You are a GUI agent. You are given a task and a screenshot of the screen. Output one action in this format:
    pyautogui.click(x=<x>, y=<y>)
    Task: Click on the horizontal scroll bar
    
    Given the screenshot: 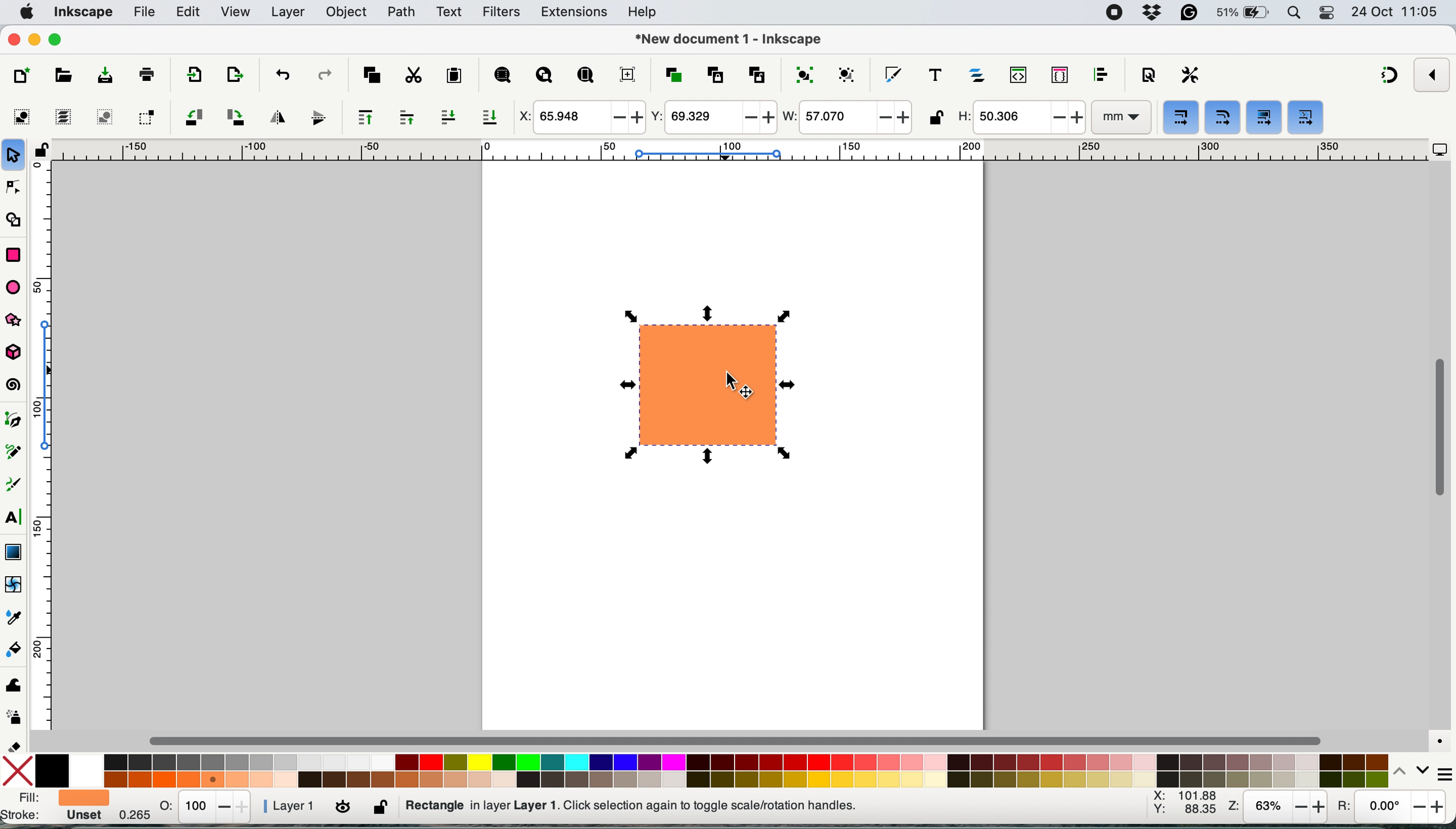 What is the action you would take?
    pyautogui.click(x=739, y=740)
    